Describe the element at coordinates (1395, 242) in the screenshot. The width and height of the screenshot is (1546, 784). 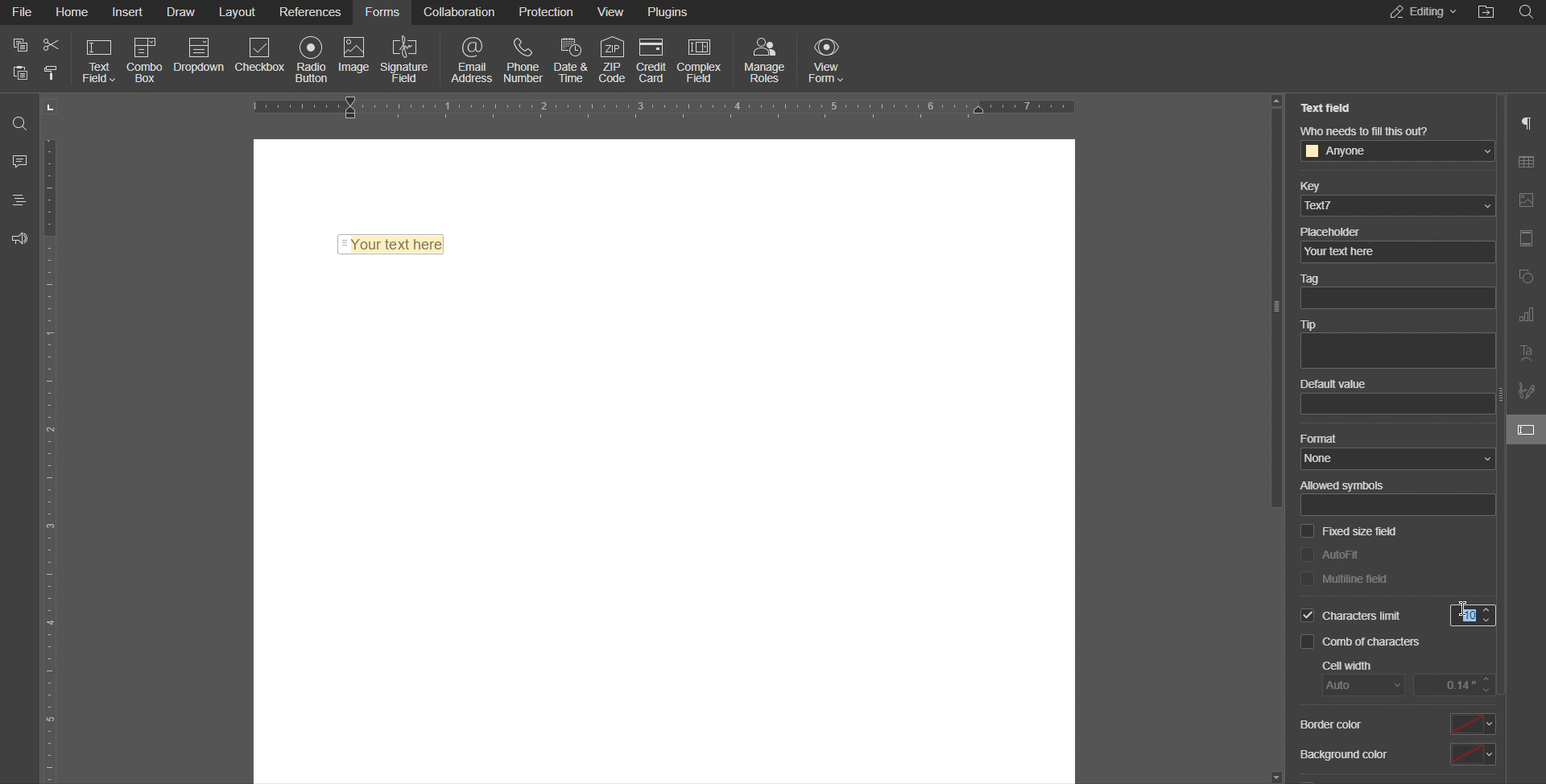
I see `Placeholder` at that location.